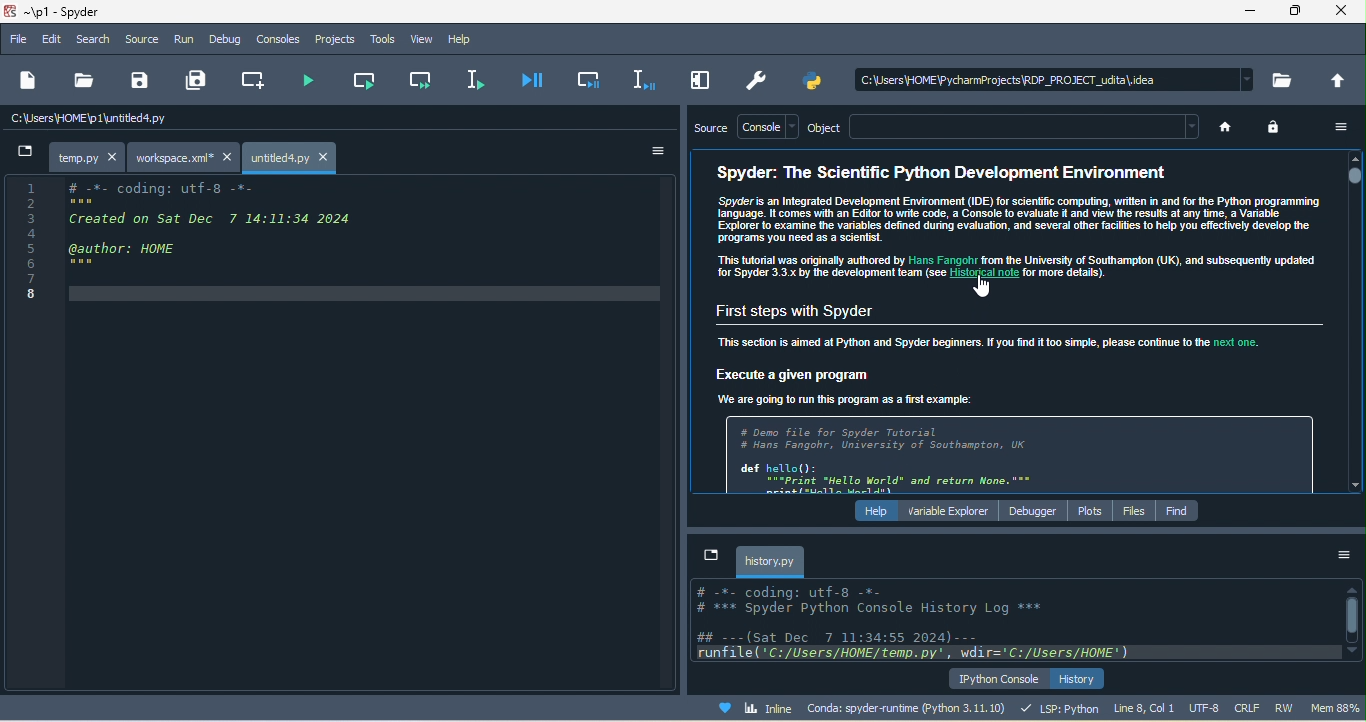  Describe the element at coordinates (192, 81) in the screenshot. I see `save all` at that location.